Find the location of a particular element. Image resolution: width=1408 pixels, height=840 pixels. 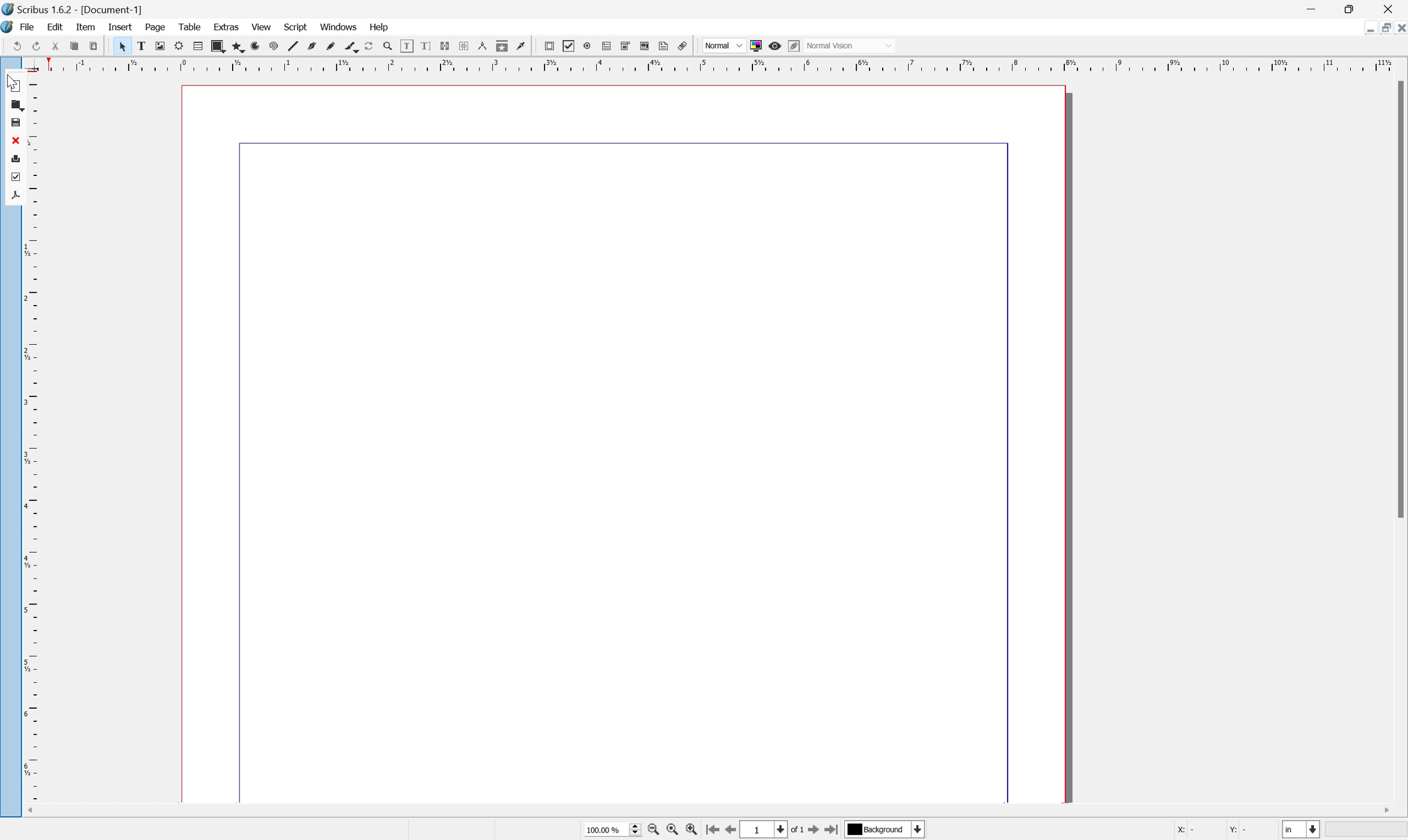

eye dropper is located at coordinates (665, 46).